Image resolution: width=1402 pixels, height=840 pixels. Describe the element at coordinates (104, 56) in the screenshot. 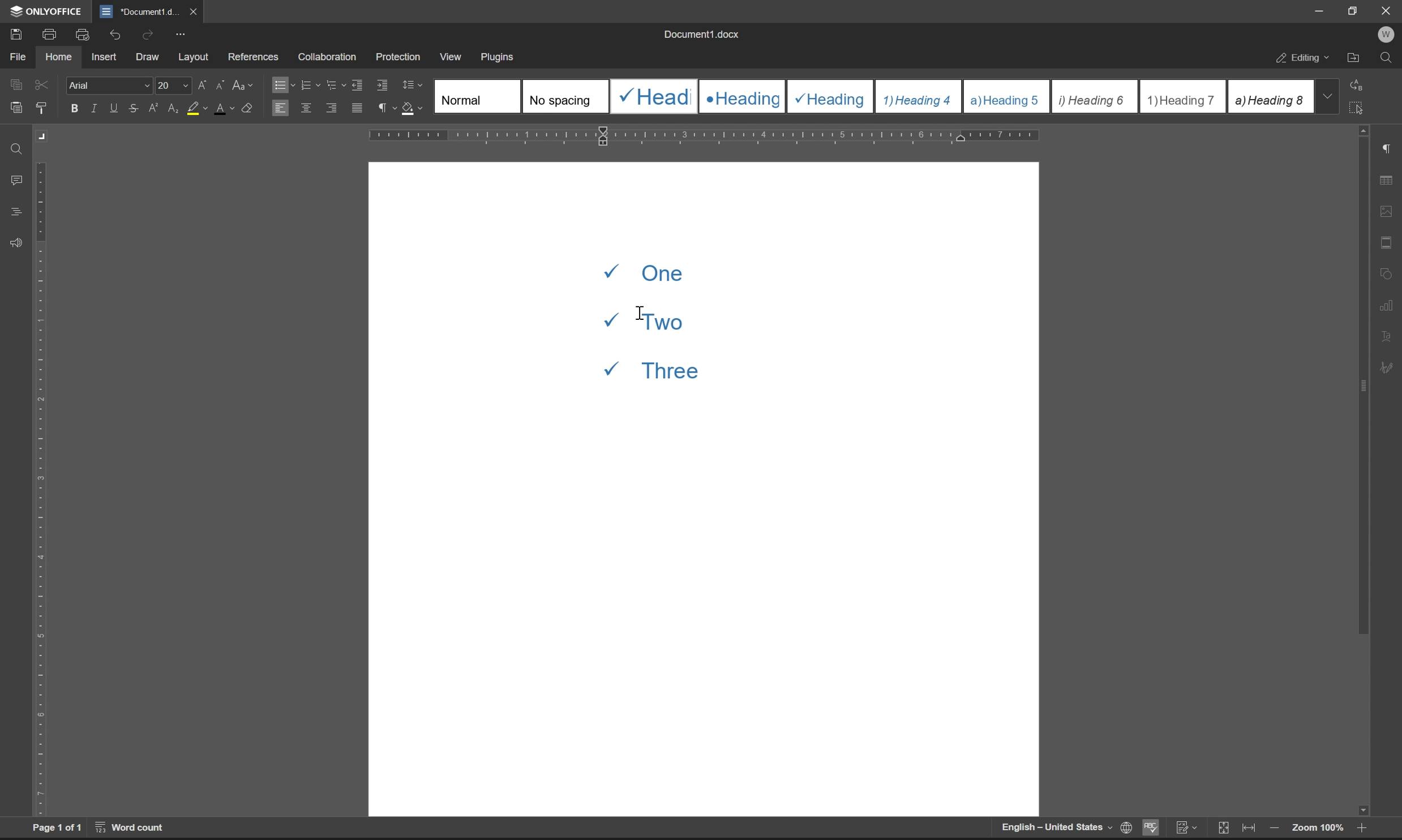

I see `insert` at that location.